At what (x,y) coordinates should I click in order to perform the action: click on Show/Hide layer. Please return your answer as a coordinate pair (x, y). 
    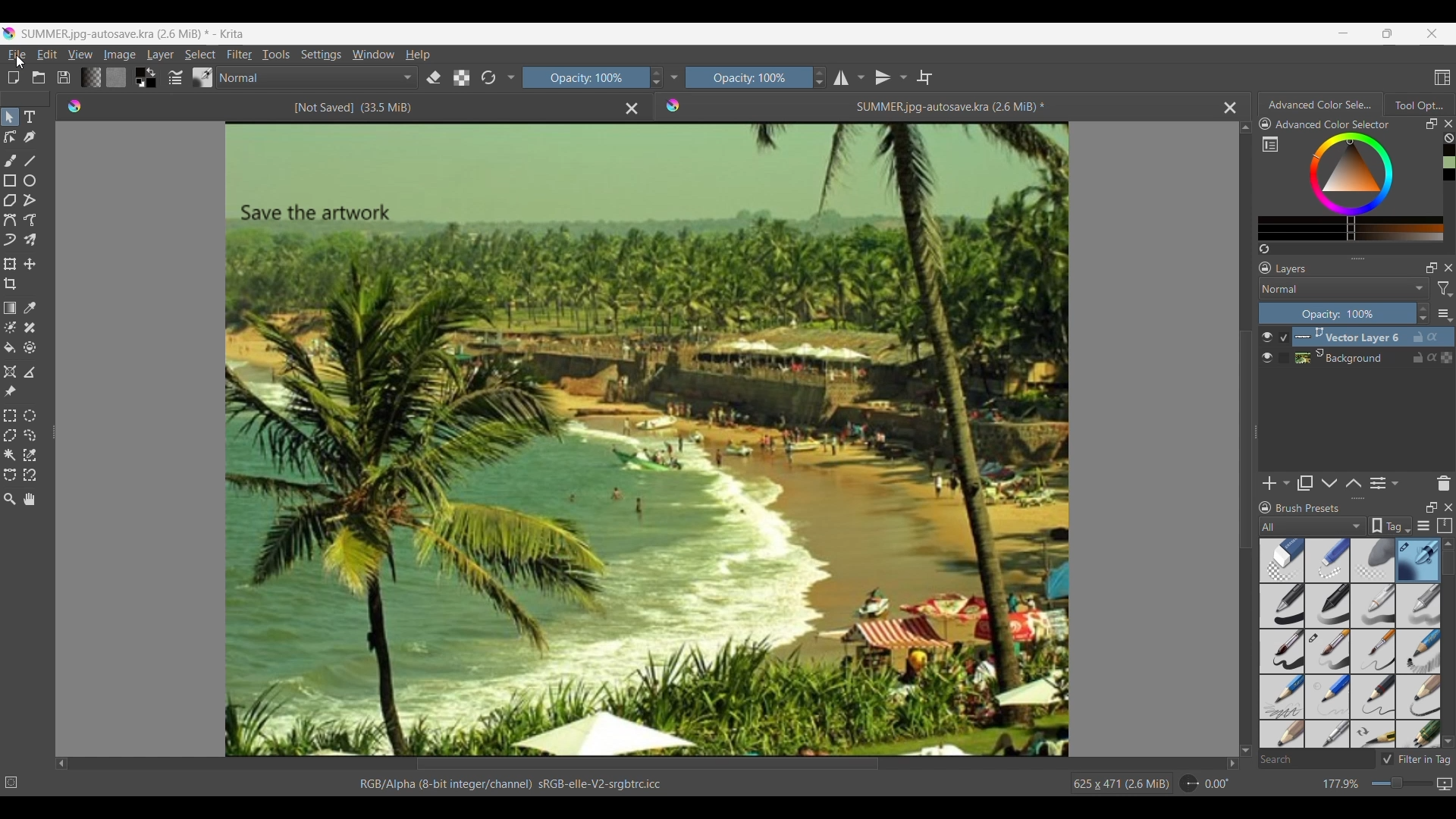
    Looking at the image, I should click on (1267, 347).